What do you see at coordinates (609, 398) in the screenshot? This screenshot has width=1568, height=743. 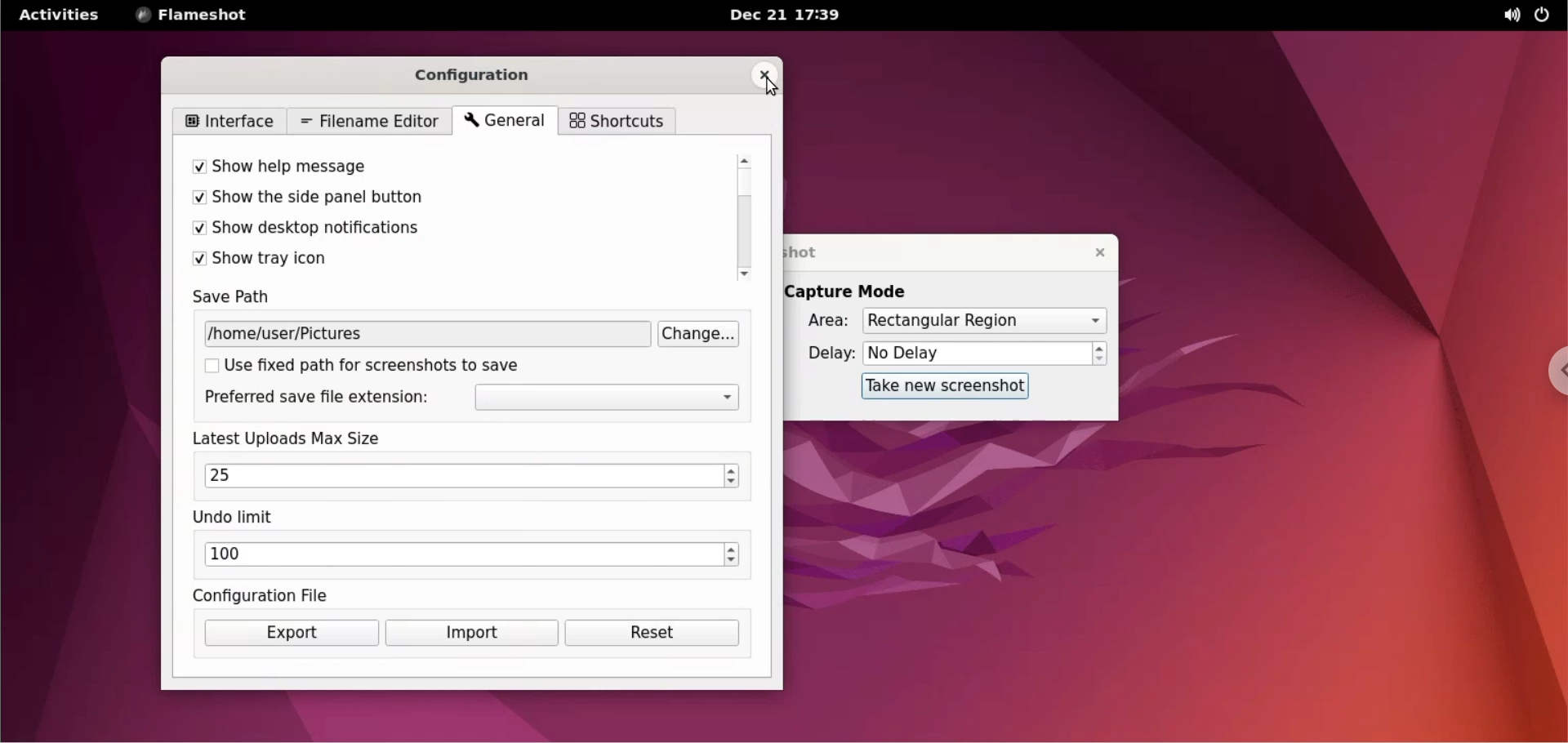 I see `extension dropdown` at bounding box center [609, 398].